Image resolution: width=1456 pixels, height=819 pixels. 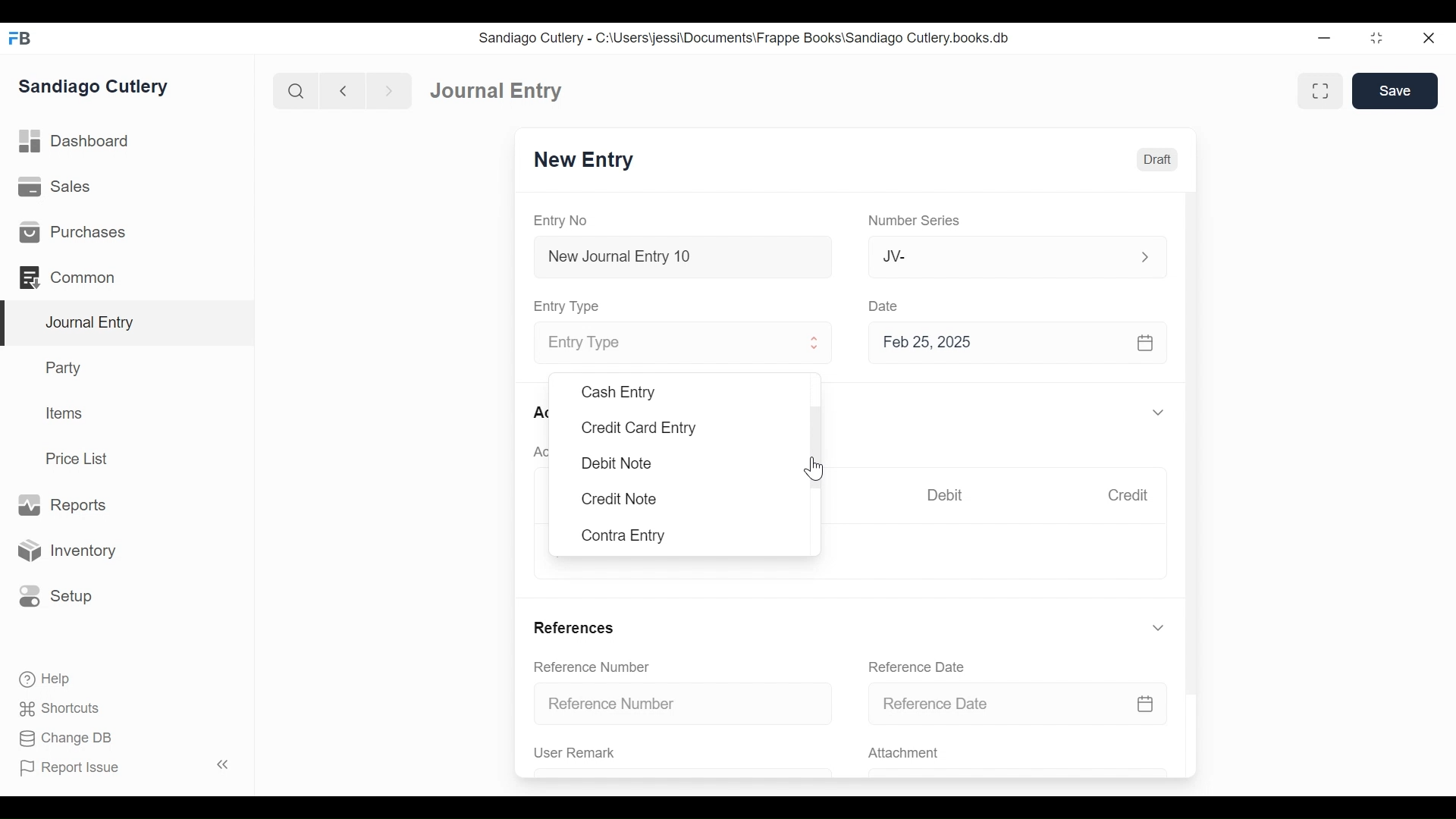 What do you see at coordinates (80, 458) in the screenshot?
I see `Price List` at bounding box center [80, 458].